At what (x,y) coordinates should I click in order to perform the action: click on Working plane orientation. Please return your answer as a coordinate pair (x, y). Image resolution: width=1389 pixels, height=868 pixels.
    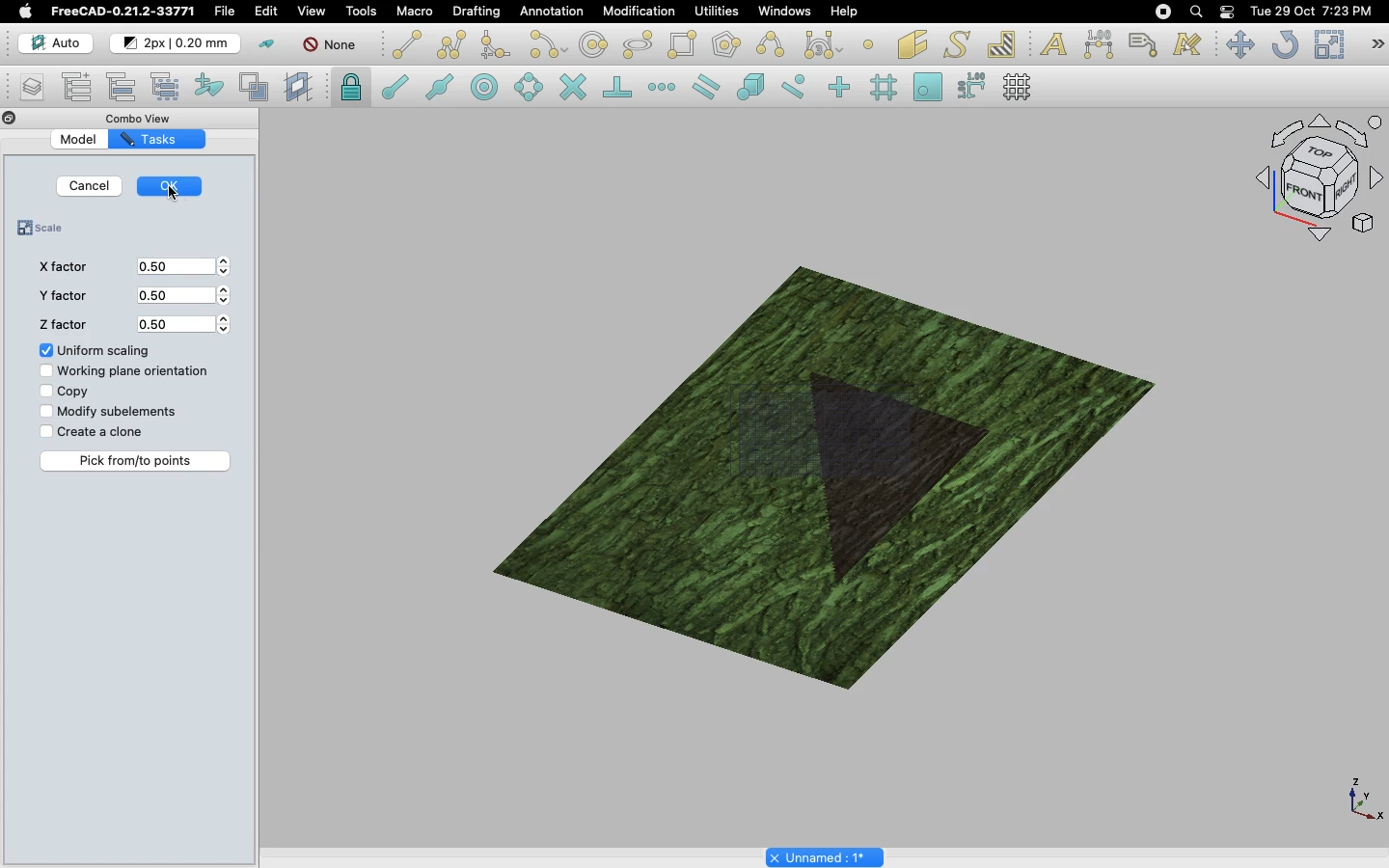
    Looking at the image, I should click on (124, 373).